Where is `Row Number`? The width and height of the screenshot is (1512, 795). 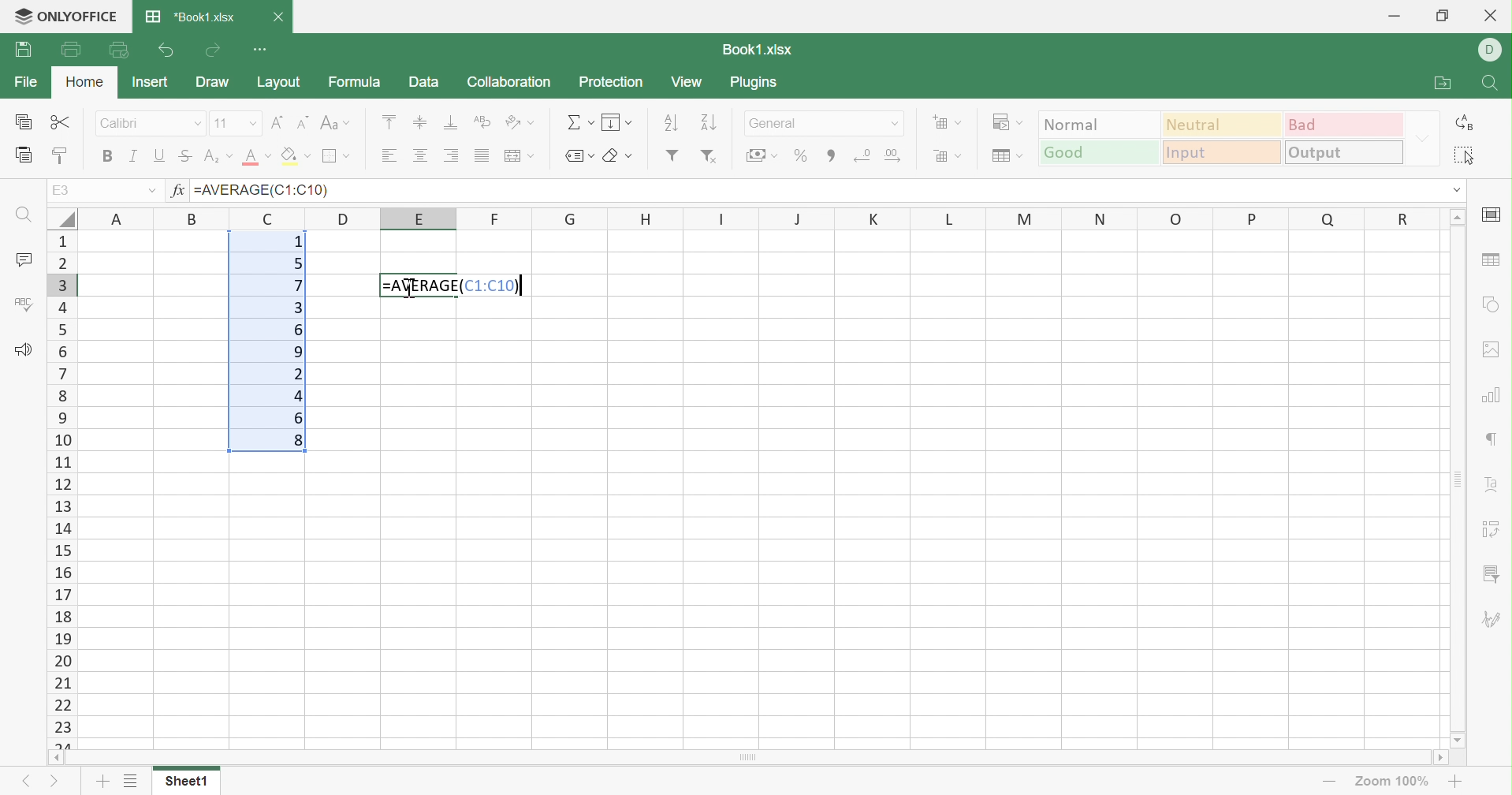
Row Number is located at coordinates (62, 488).